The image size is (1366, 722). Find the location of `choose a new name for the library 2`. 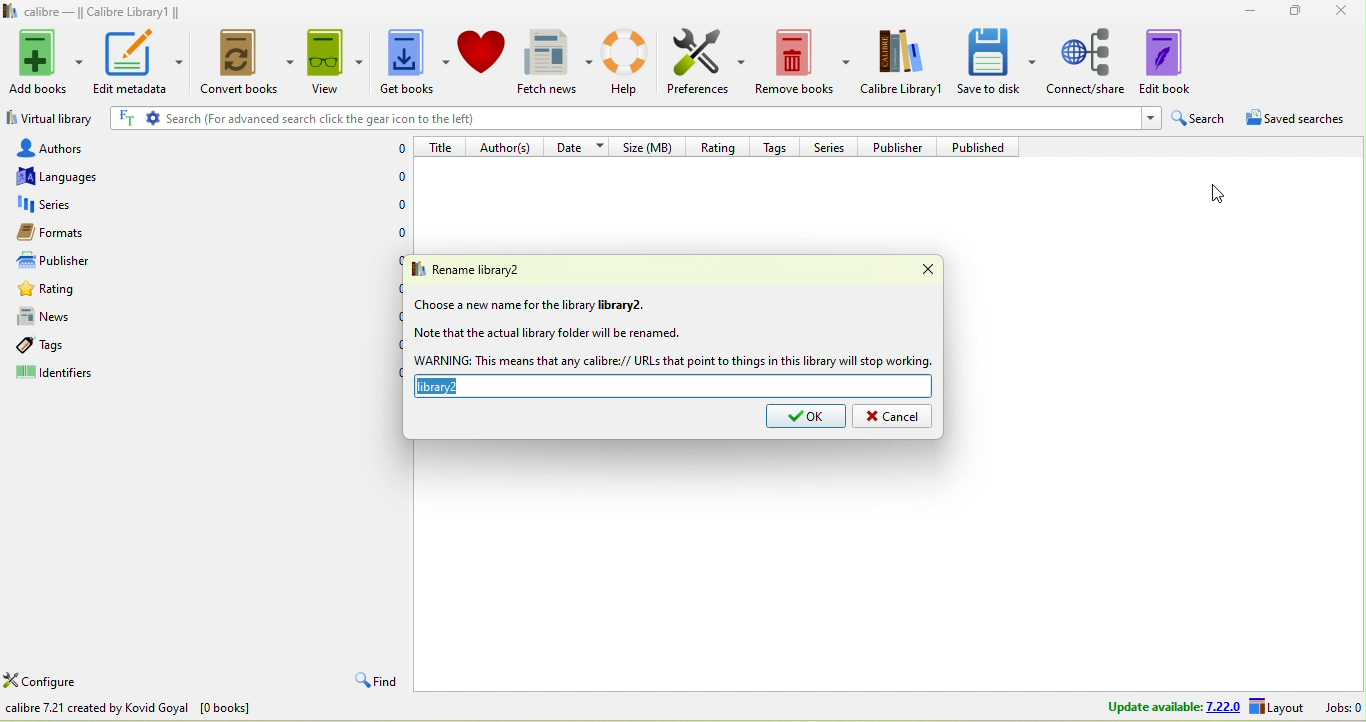

choose a new name for the library 2 is located at coordinates (532, 305).